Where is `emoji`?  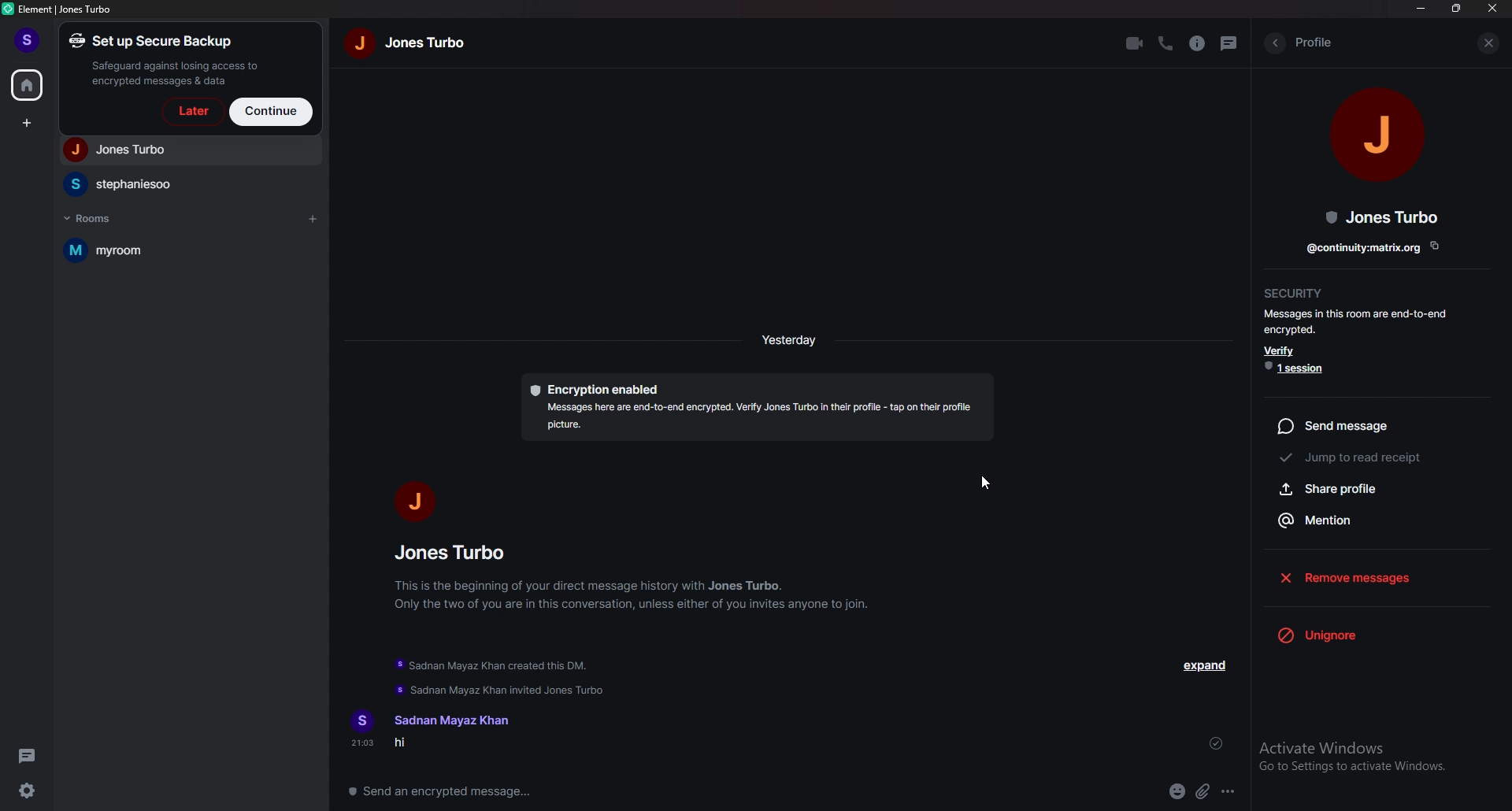 emoji is located at coordinates (1178, 792).